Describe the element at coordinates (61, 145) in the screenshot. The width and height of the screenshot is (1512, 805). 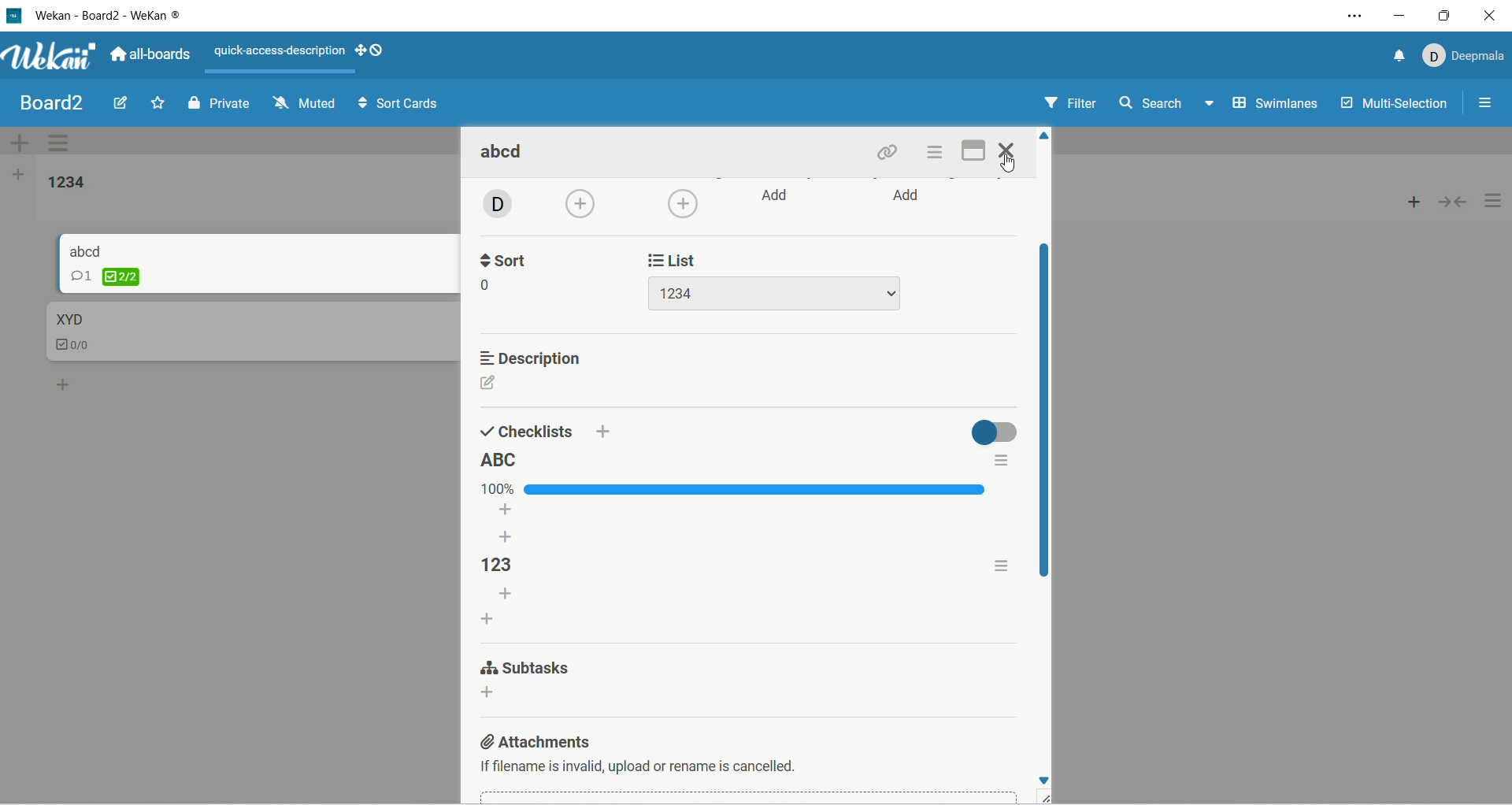
I see `swimlane actions` at that location.